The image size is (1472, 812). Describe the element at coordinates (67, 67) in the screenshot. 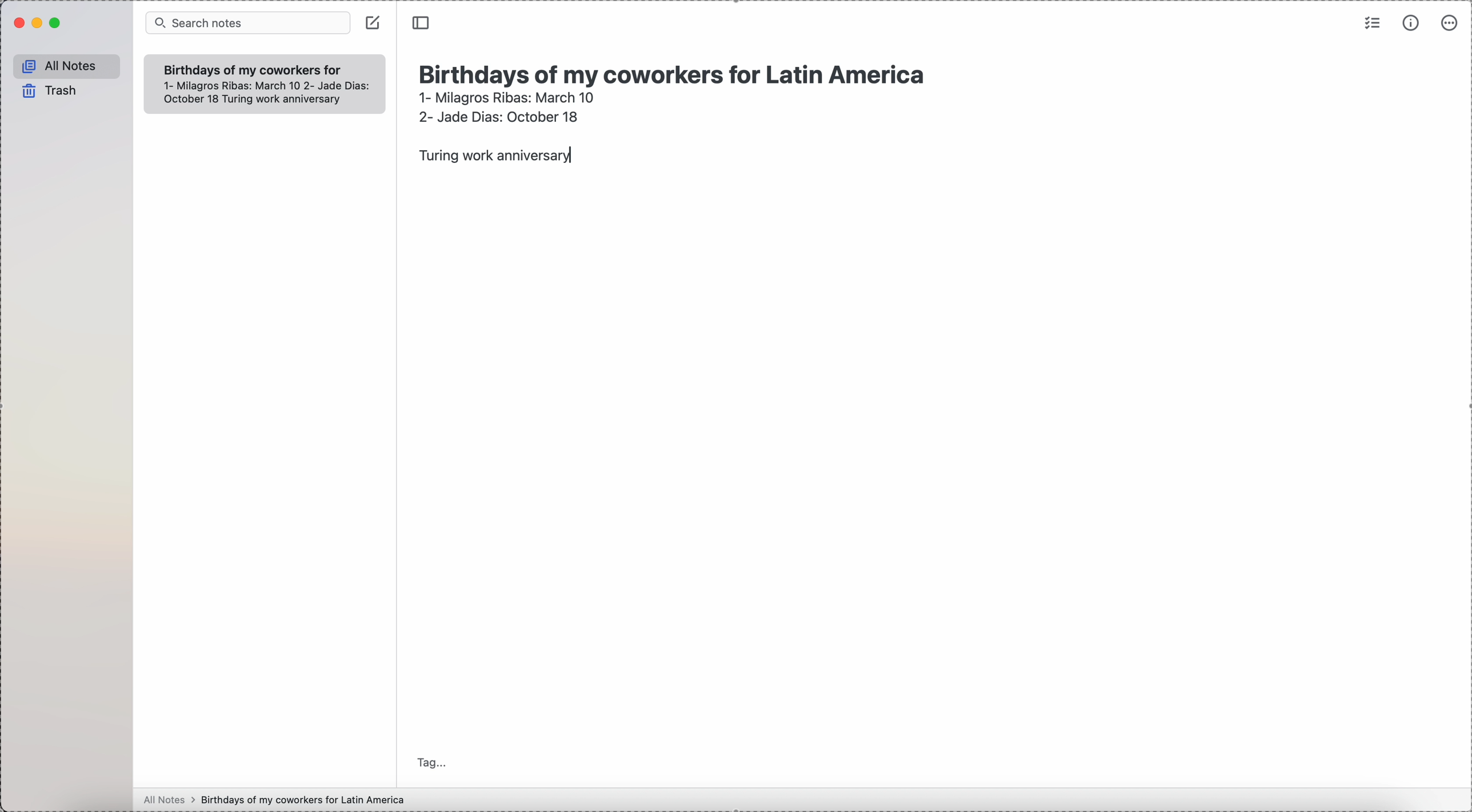

I see `all notes` at that location.